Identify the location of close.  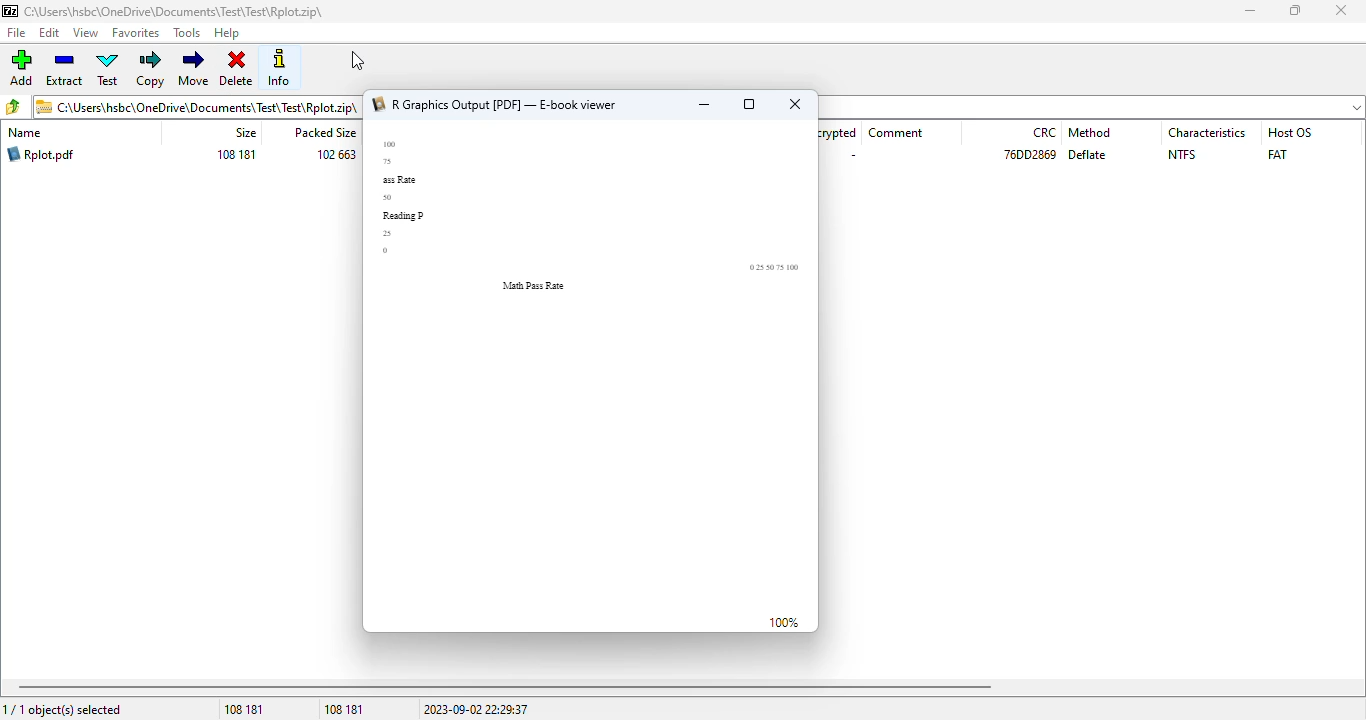
(795, 104).